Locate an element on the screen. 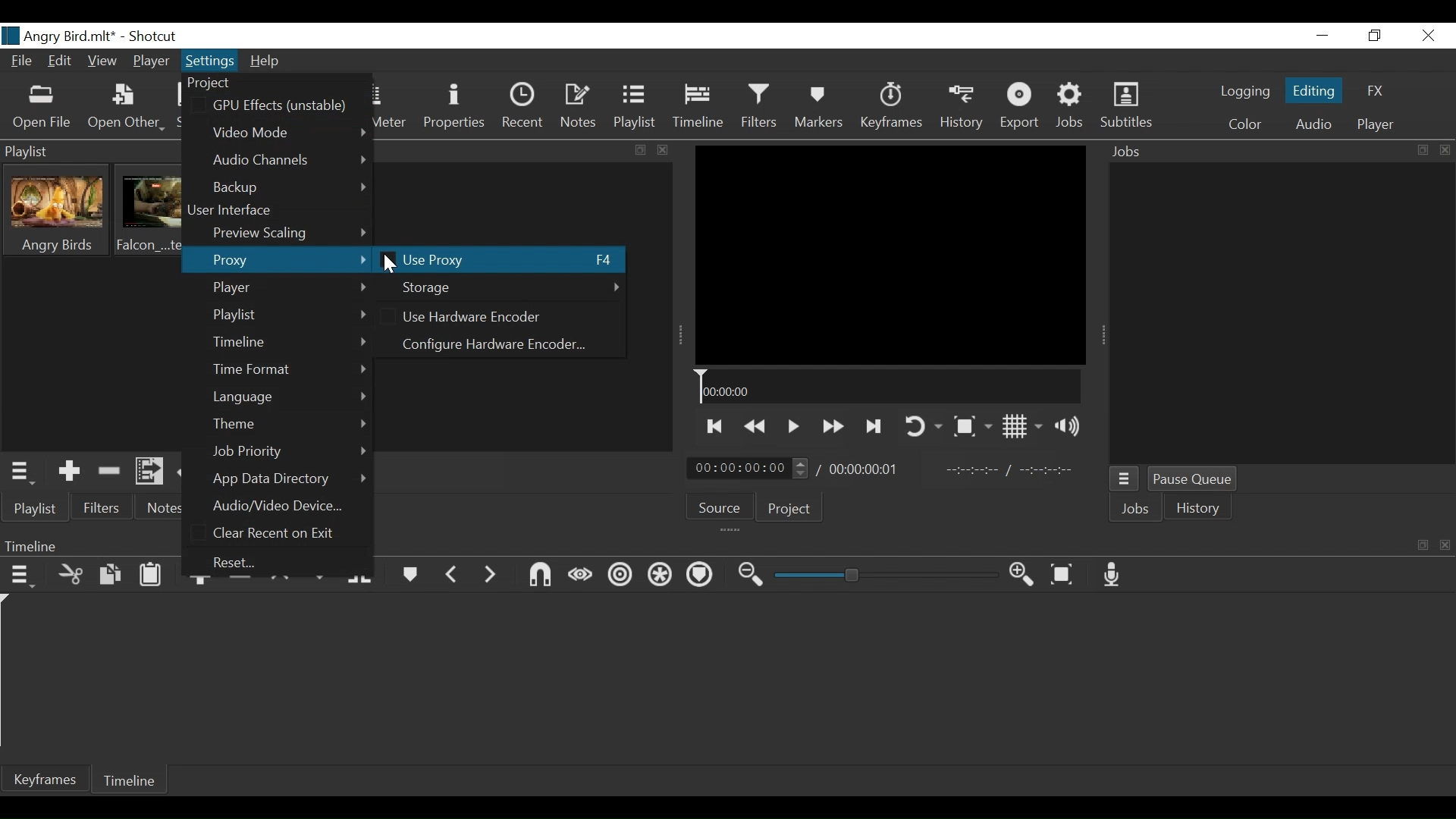 This screenshot has height=819, width=1456. Update is located at coordinates (190, 472).